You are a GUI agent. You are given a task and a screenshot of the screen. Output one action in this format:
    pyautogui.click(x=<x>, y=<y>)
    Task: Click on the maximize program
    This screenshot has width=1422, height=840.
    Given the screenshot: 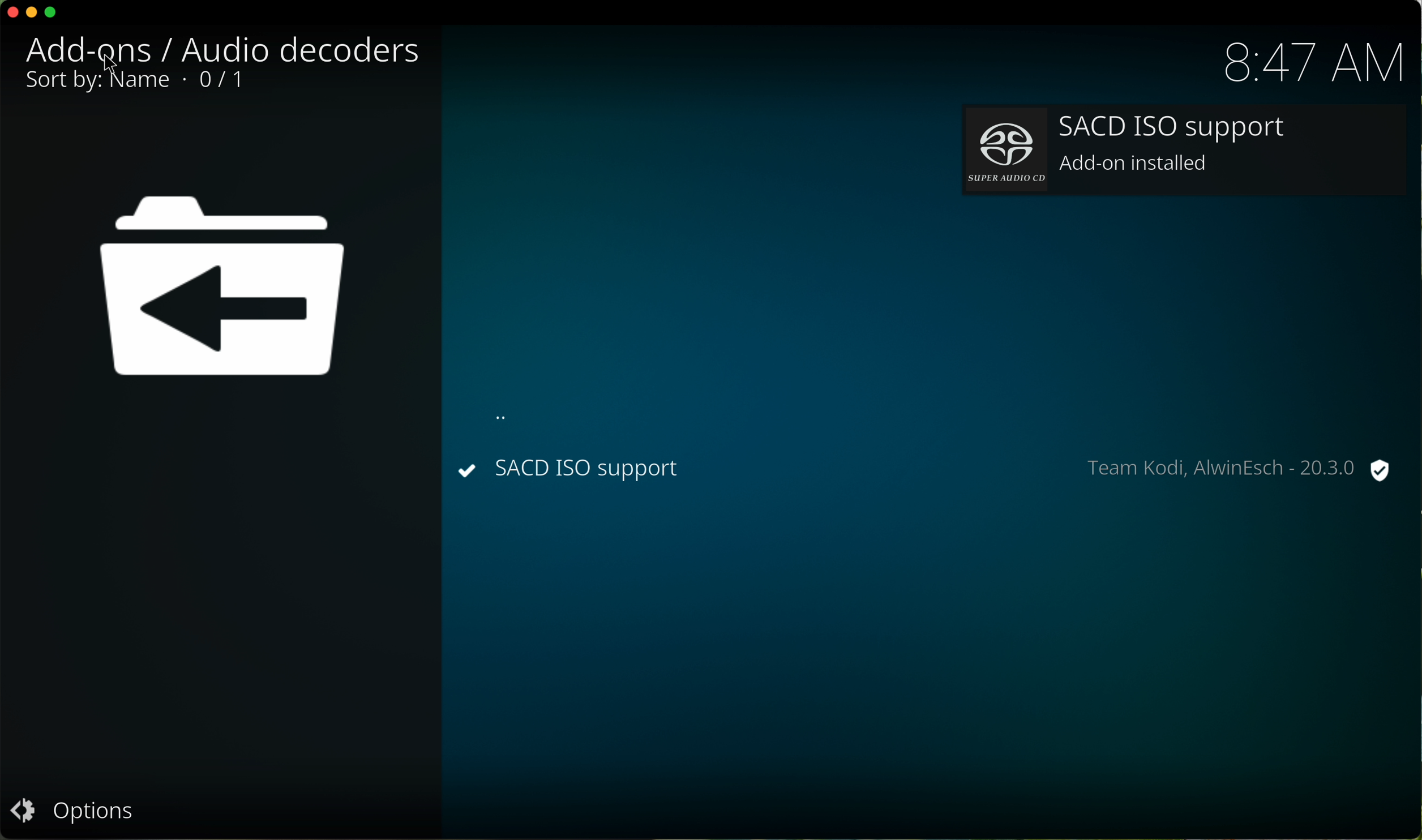 What is the action you would take?
    pyautogui.click(x=52, y=14)
    